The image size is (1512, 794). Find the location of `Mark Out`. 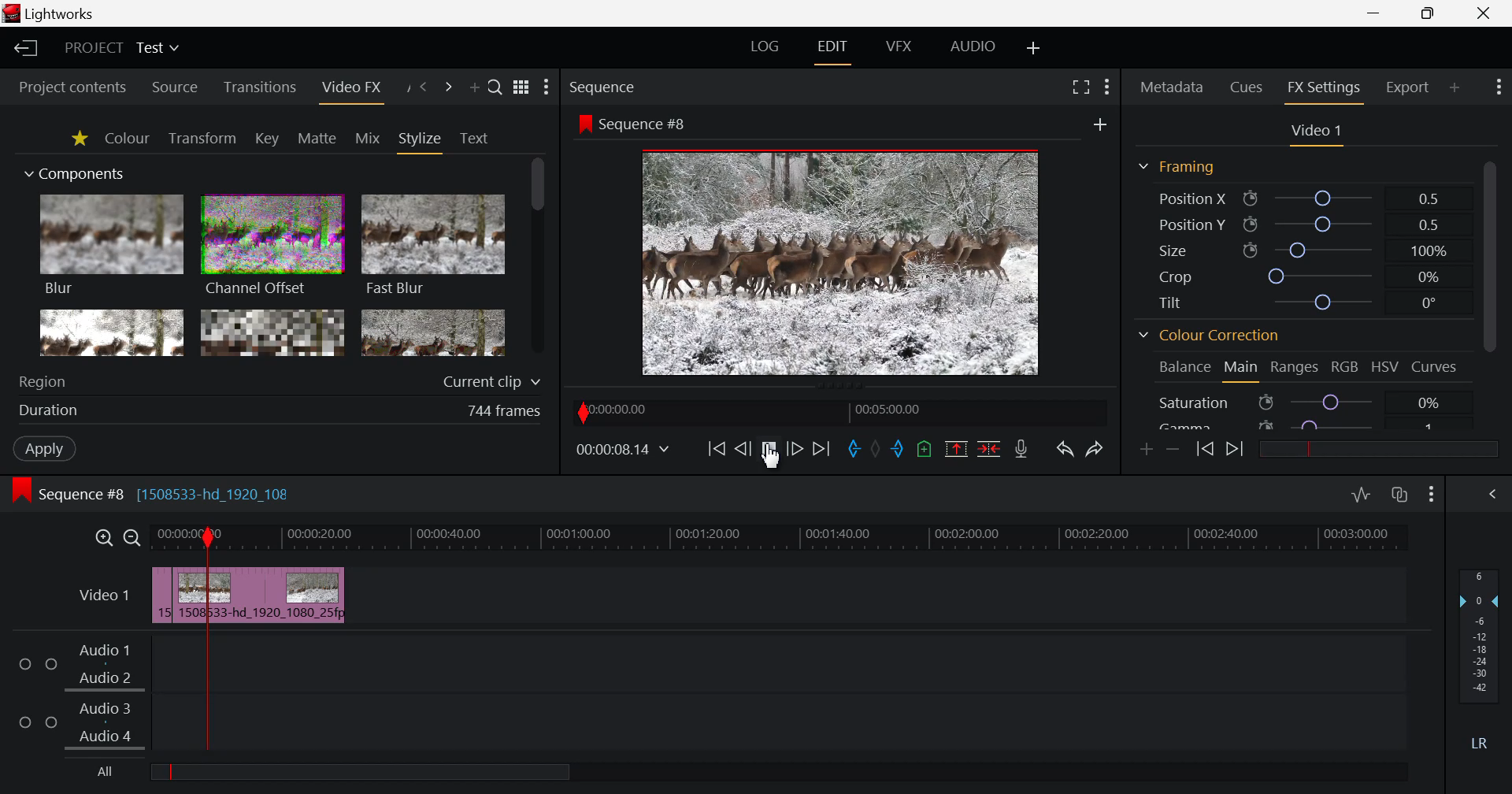

Mark Out is located at coordinates (902, 451).